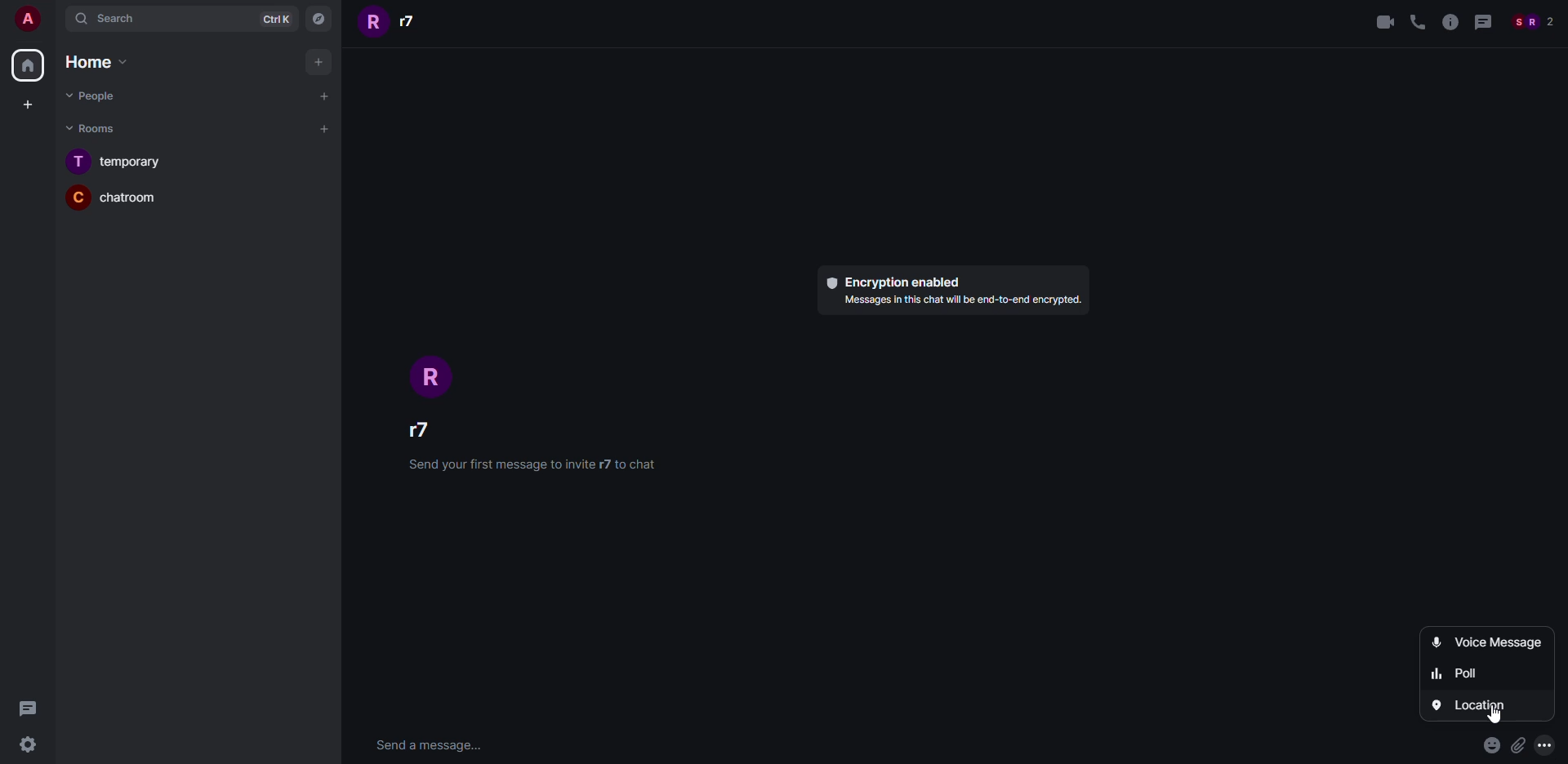  What do you see at coordinates (394, 22) in the screenshot?
I see `r7` at bounding box center [394, 22].